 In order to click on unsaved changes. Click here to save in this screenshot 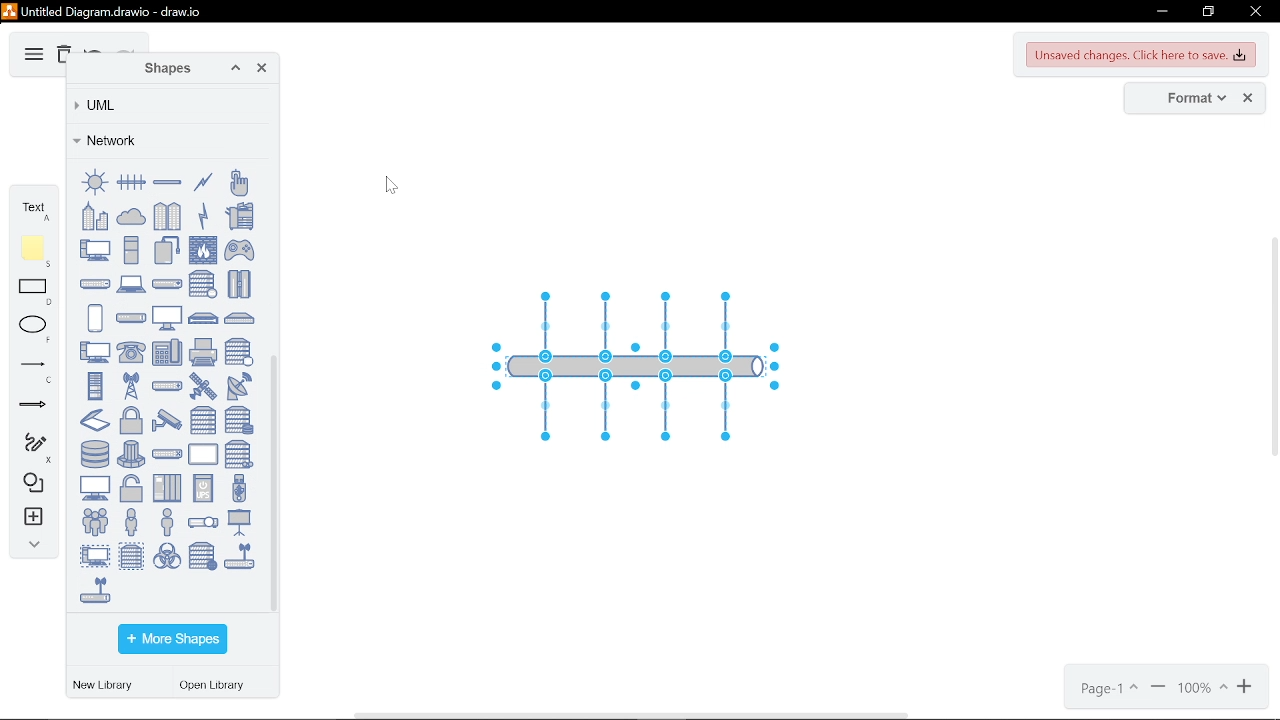, I will do `click(1142, 55)`.